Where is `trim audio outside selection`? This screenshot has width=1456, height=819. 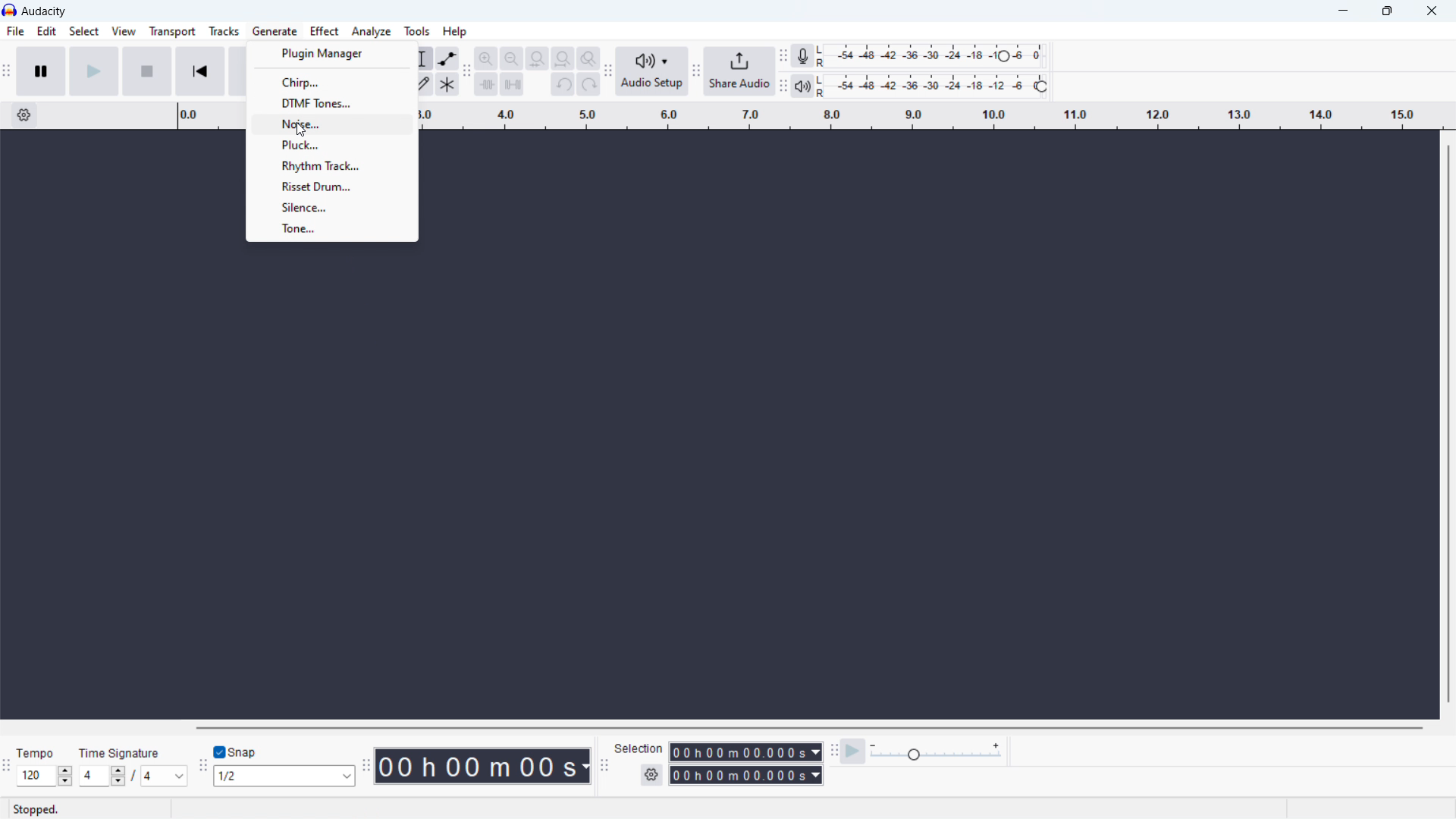
trim audio outside selection is located at coordinates (487, 83).